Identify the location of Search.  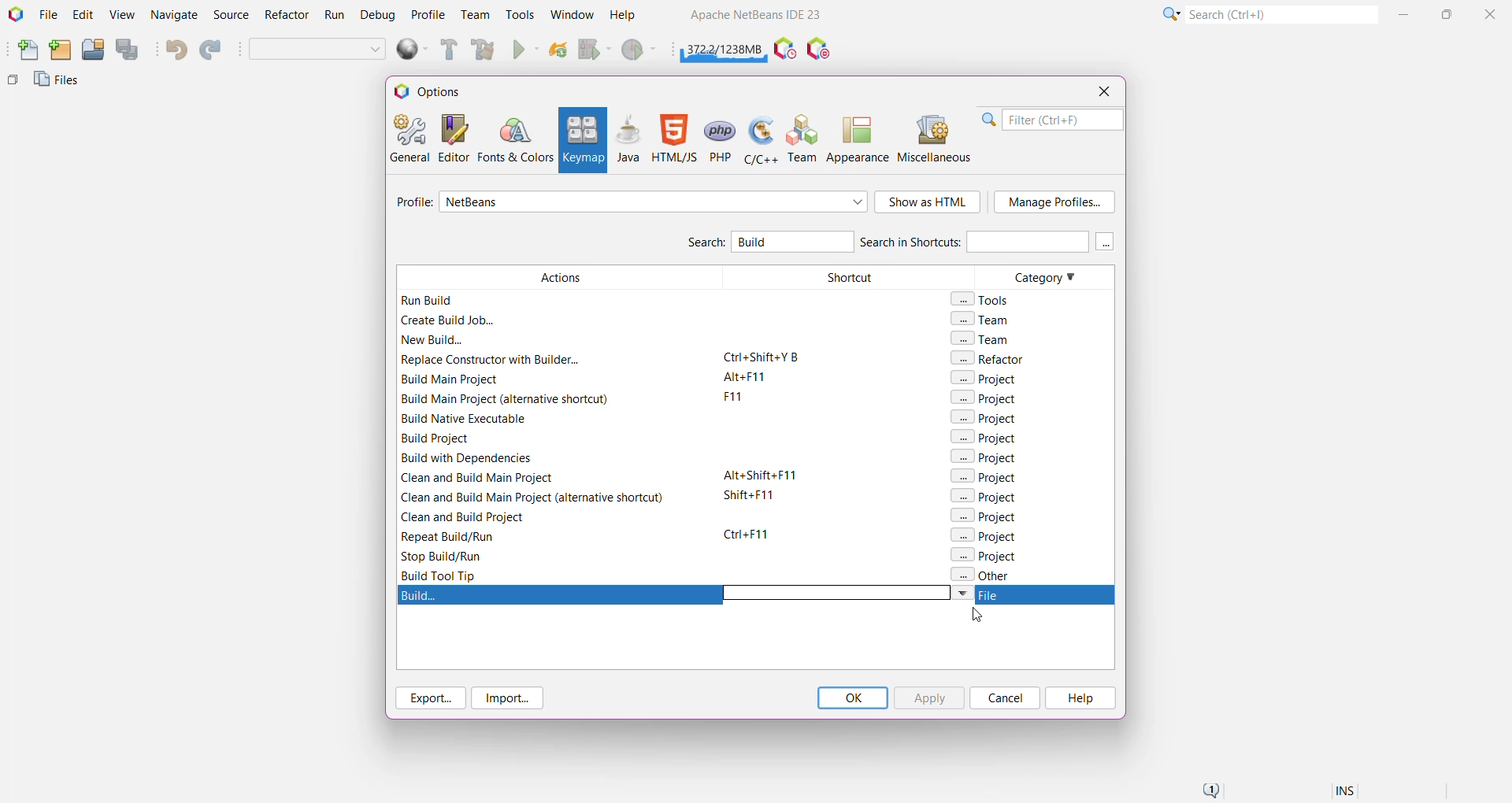
(705, 244).